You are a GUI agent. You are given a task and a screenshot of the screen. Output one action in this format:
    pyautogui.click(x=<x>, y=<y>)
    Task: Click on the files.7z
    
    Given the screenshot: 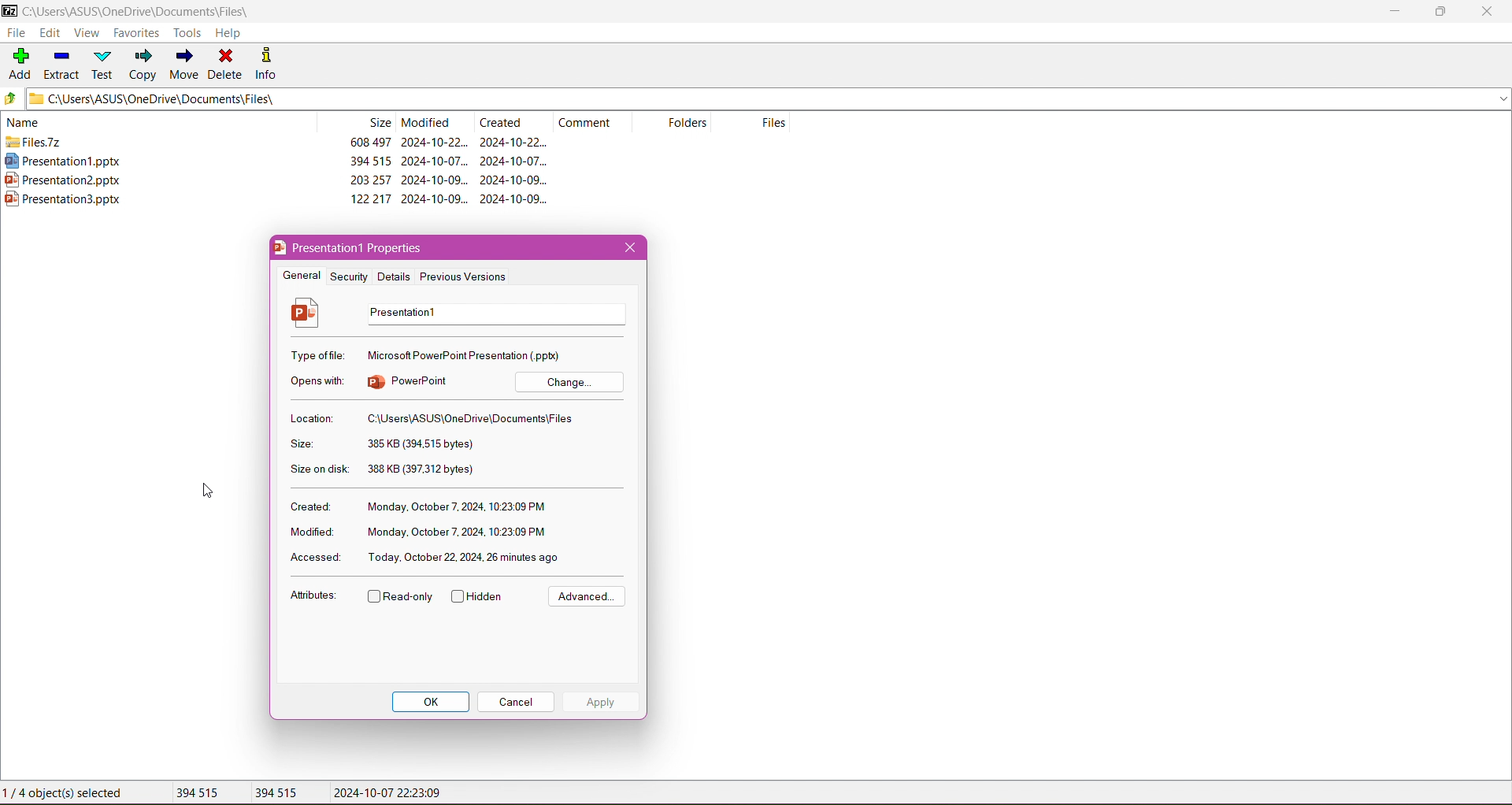 What is the action you would take?
    pyautogui.click(x=33, y=142)
    